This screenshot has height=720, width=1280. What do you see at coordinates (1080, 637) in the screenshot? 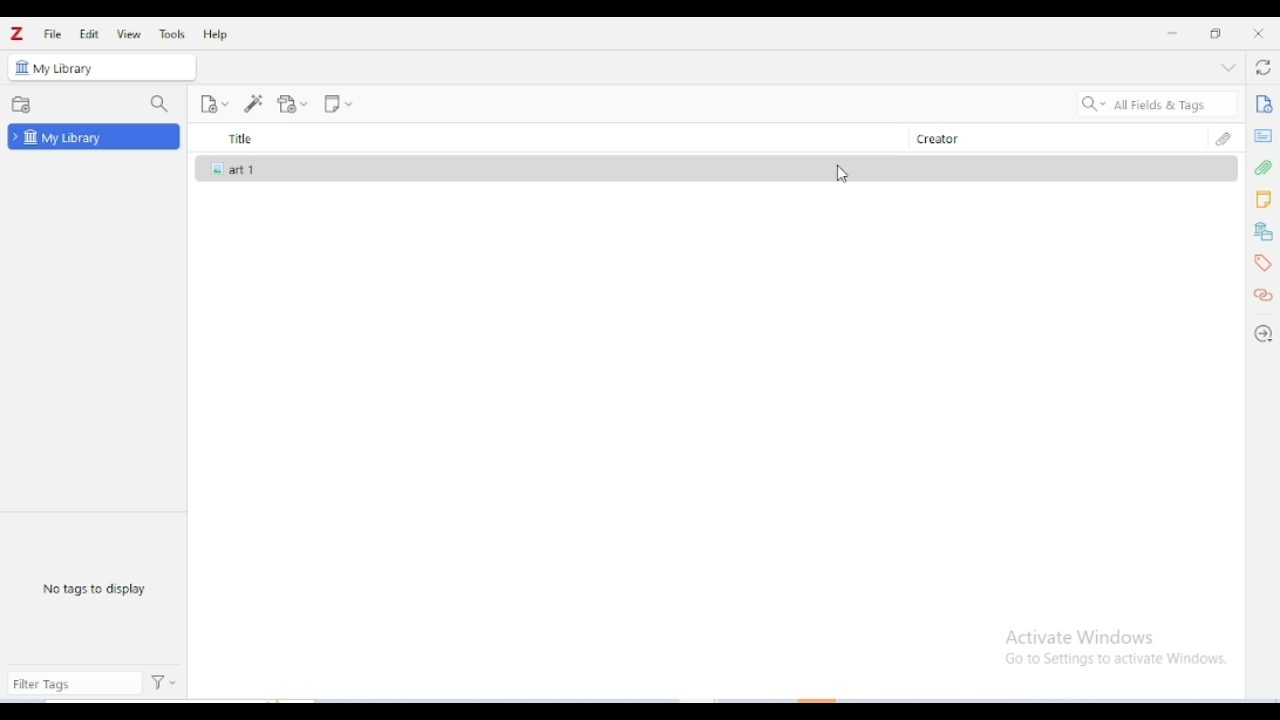
I see `Activate Windows` at bounding box center [1080, 637].